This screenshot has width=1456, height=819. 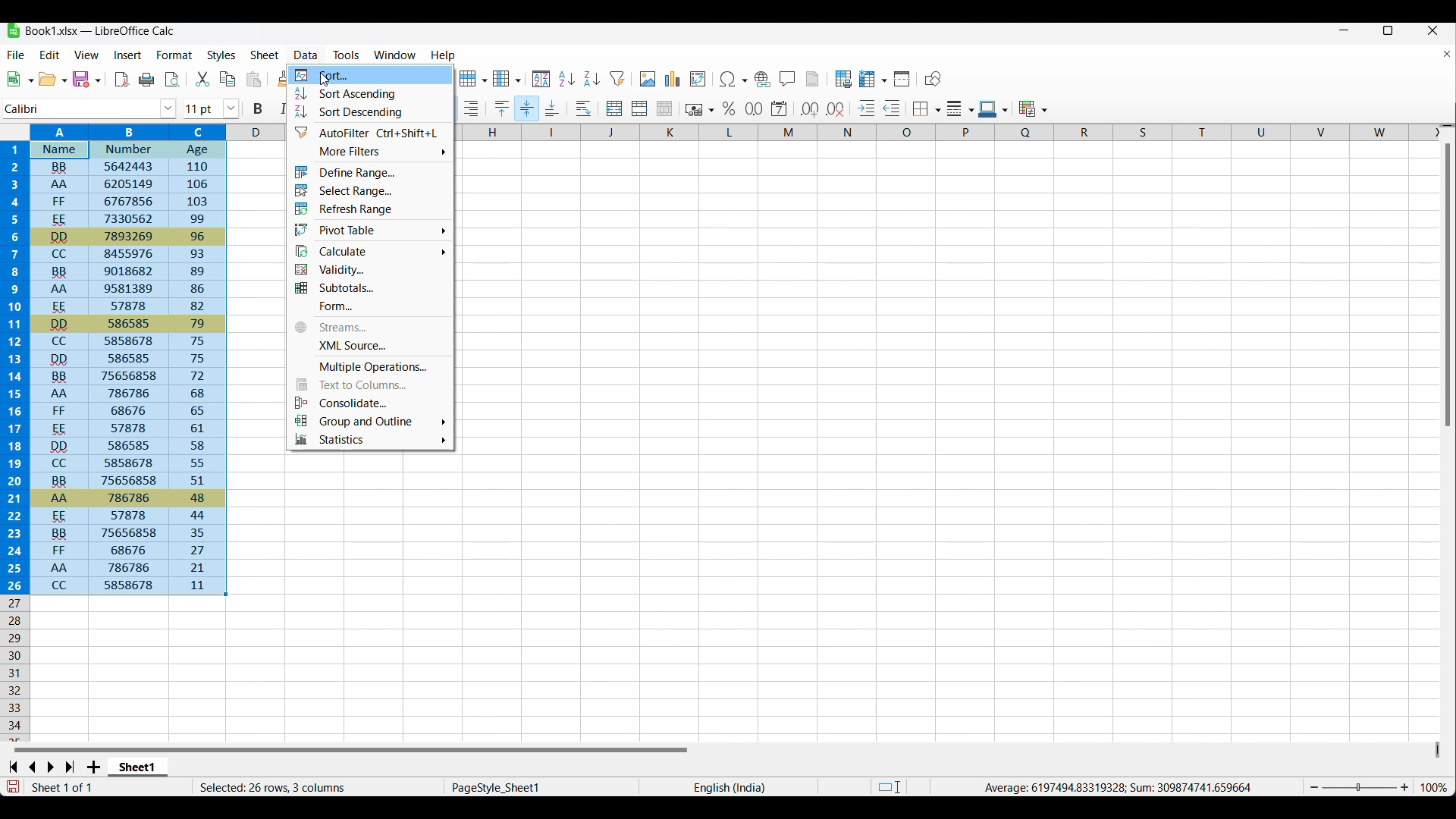 What do you see at coordinates (369, 251) in the screenshot?
I see `Calculate options` at bounding box center [369, 251].